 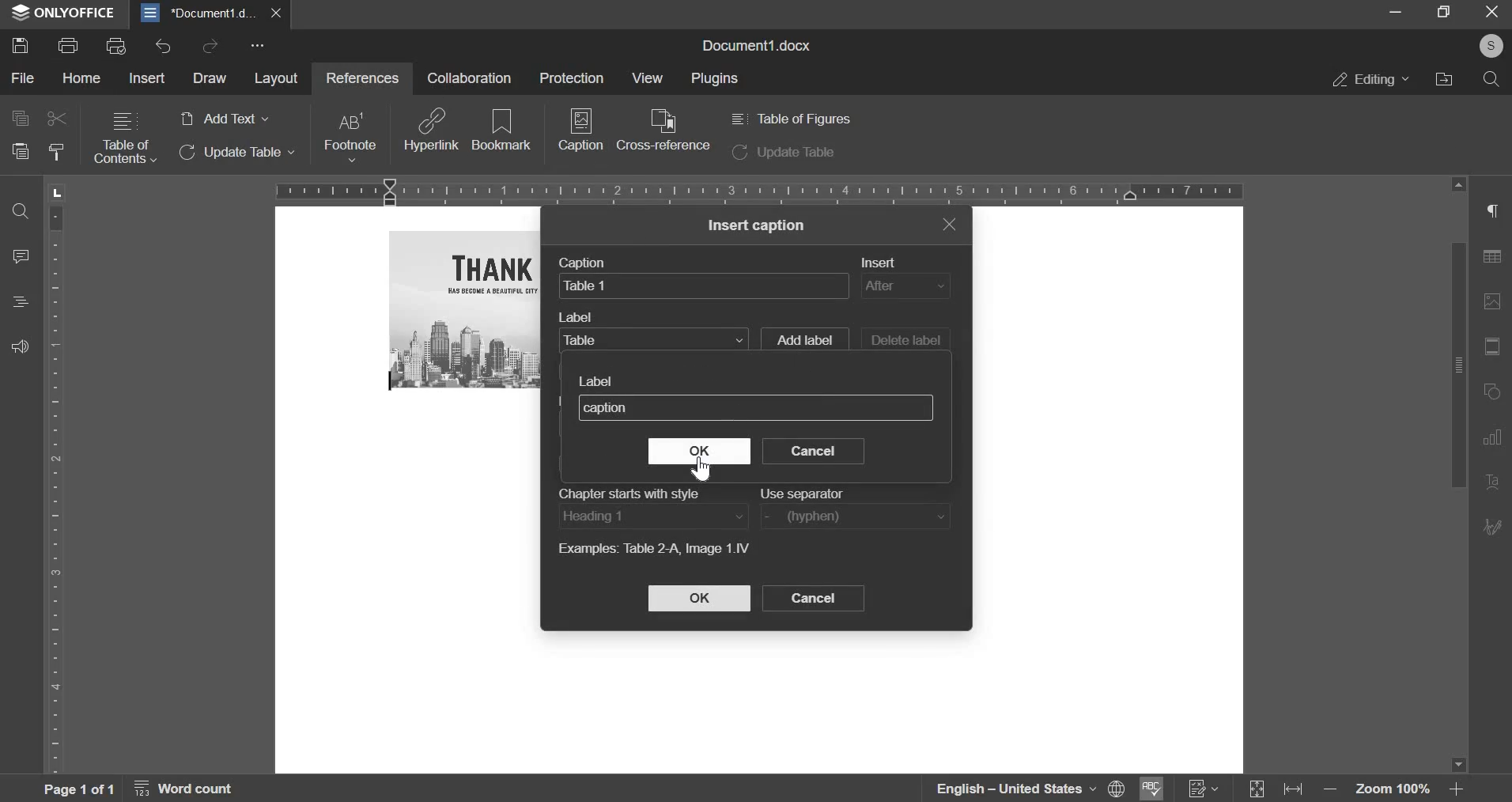 What do you see at coordinates (238, 153) in the screenshot?
I see `update table` at bounding box center [238, 153].